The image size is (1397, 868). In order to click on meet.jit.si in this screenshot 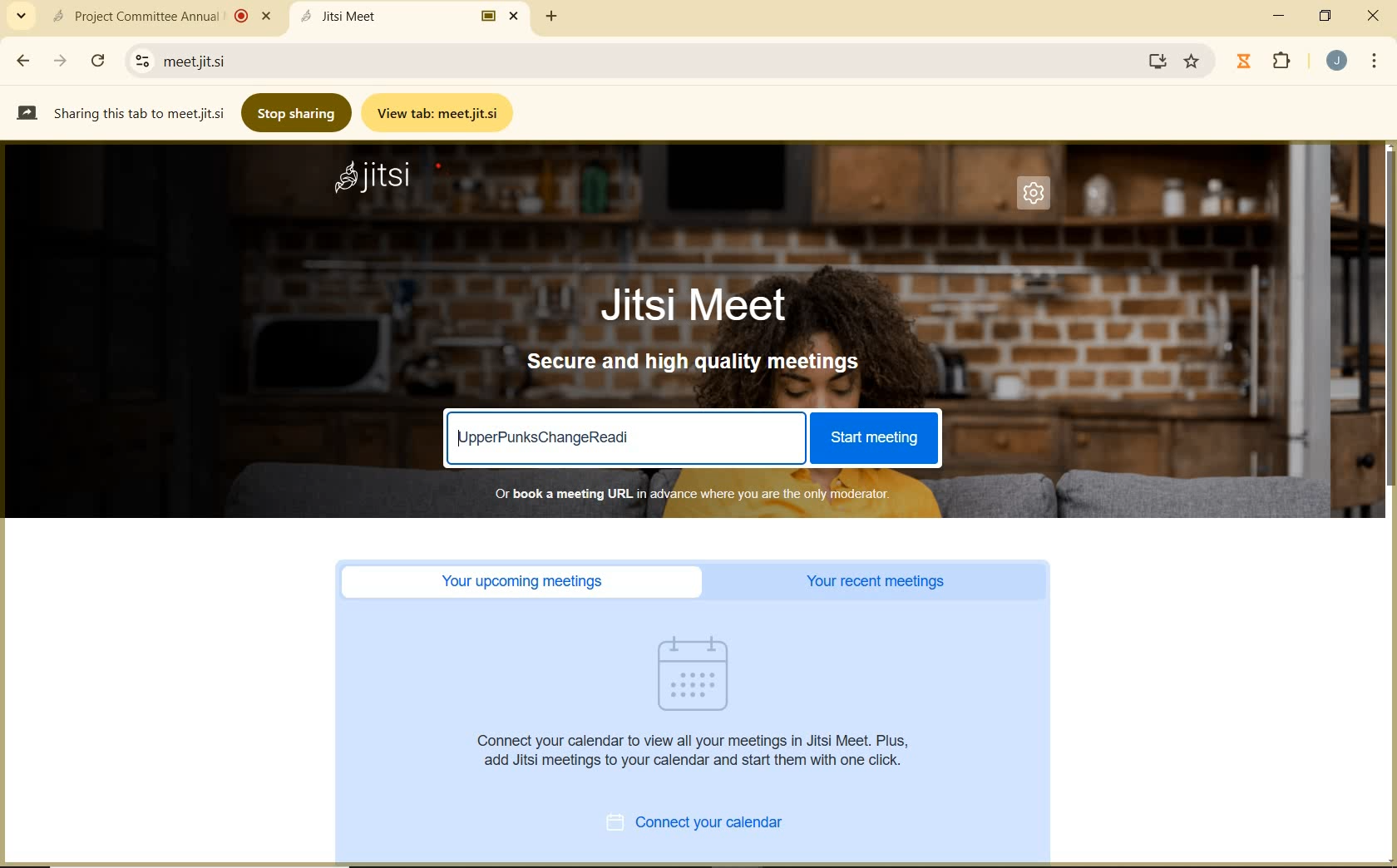, I will do `click(263, 61)`.